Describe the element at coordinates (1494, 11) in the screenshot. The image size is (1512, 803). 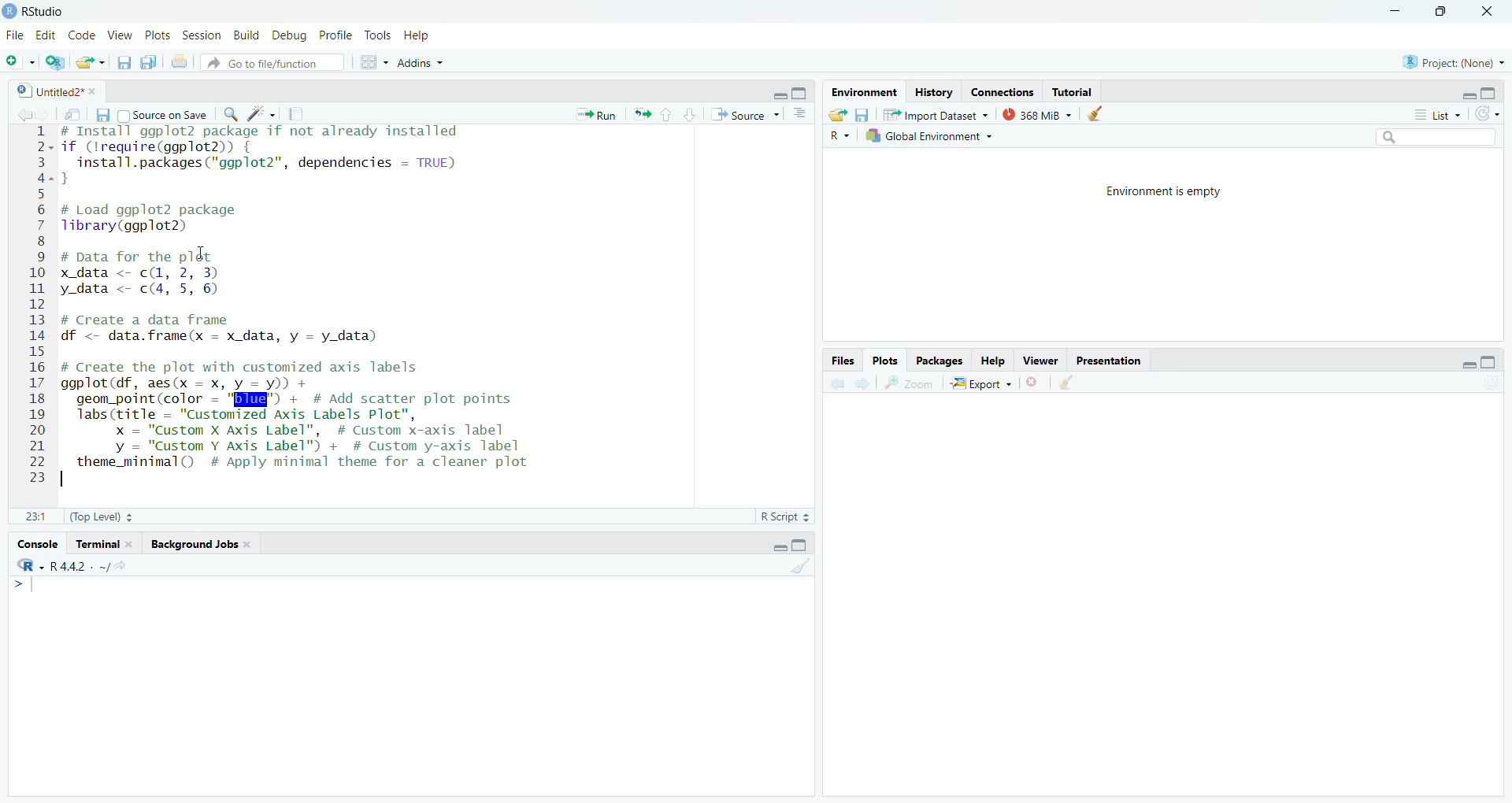
I see `close` at that location.